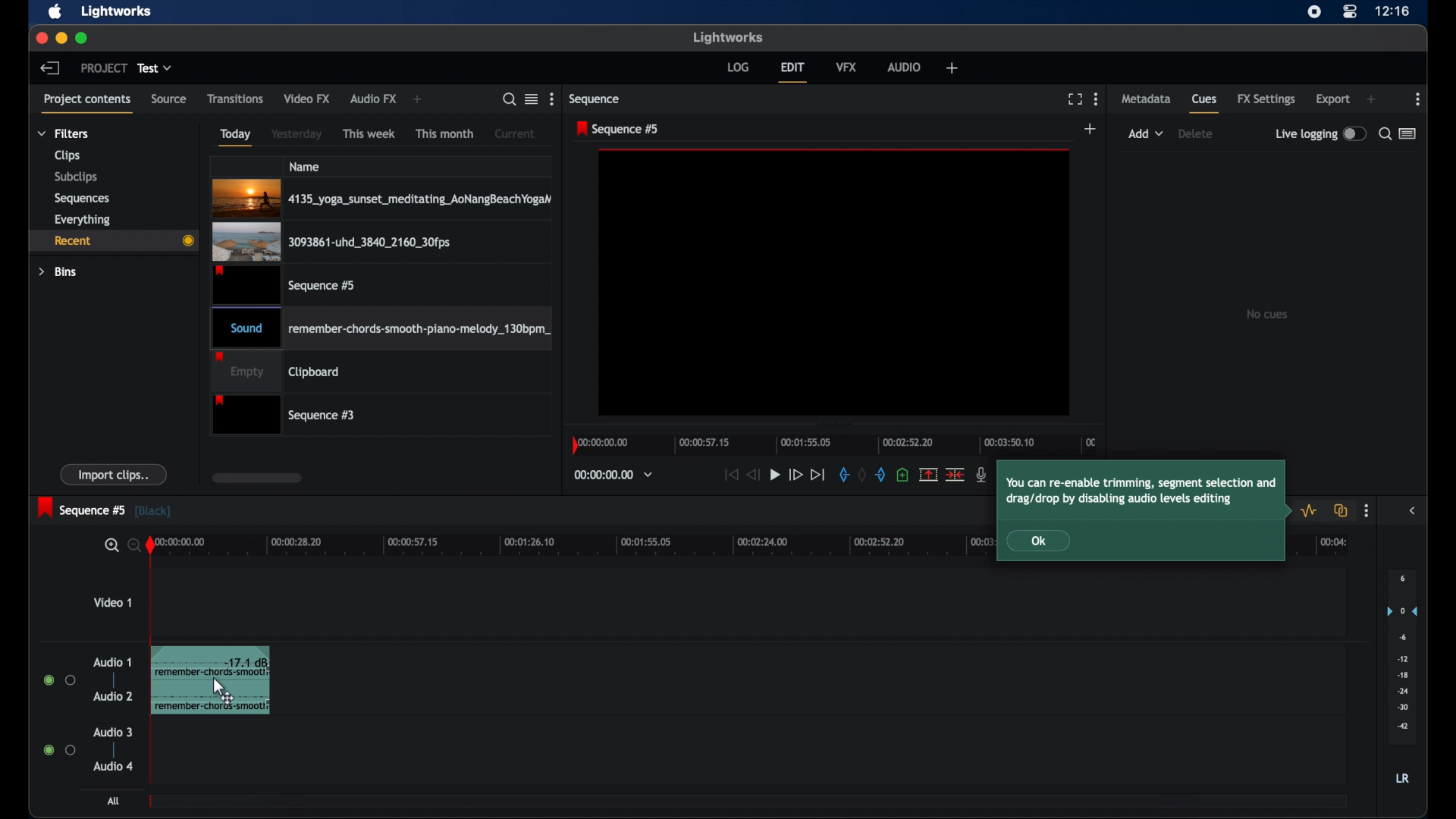 The height and width of the screenshot is (819, 1456). I want to click on clear marks, so click(861, 475).